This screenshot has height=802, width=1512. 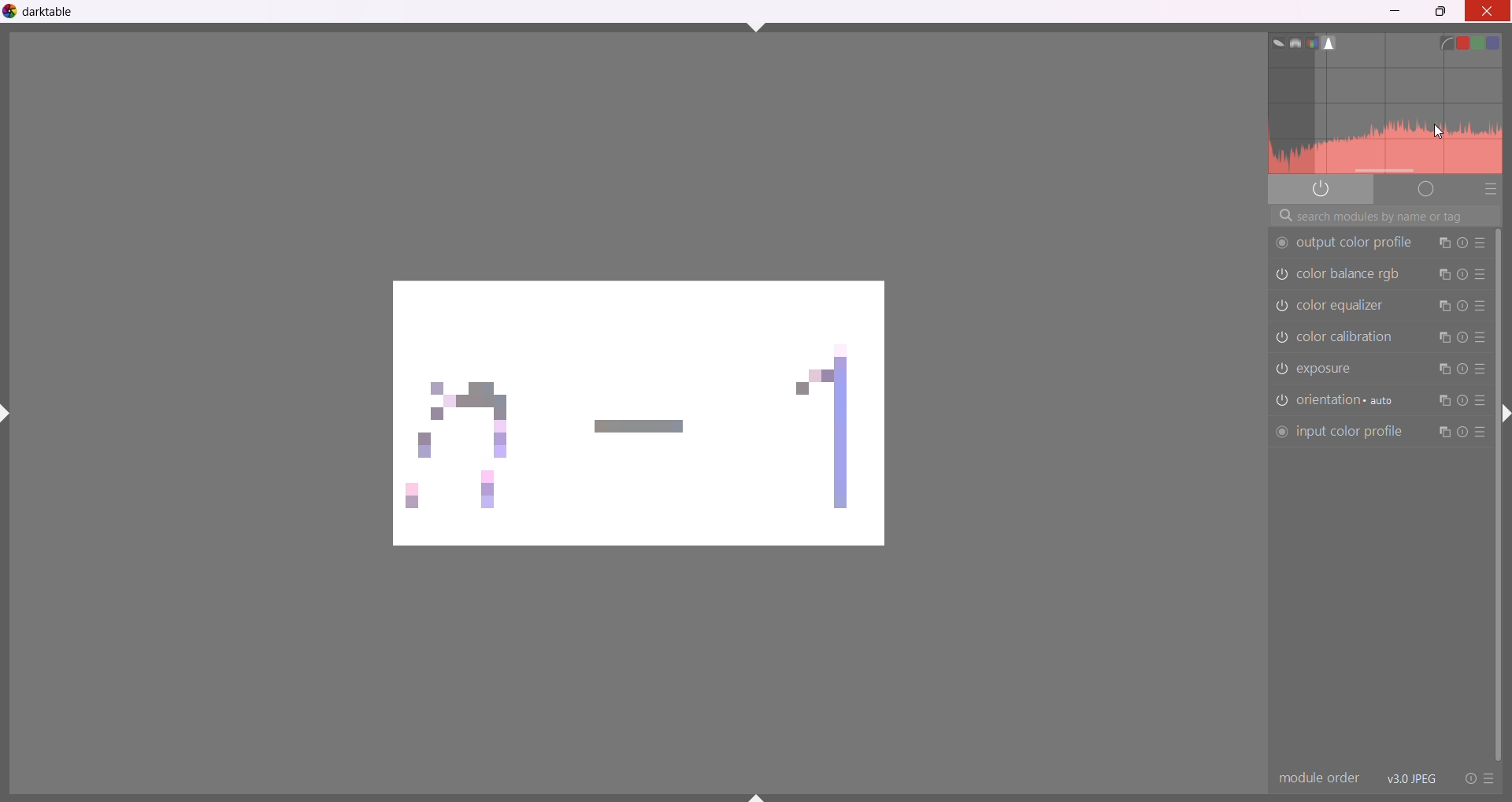 What do you see at coordinates (1443, 337) in the screenshot?
I see `instance` at bounding box center [1443, 337].